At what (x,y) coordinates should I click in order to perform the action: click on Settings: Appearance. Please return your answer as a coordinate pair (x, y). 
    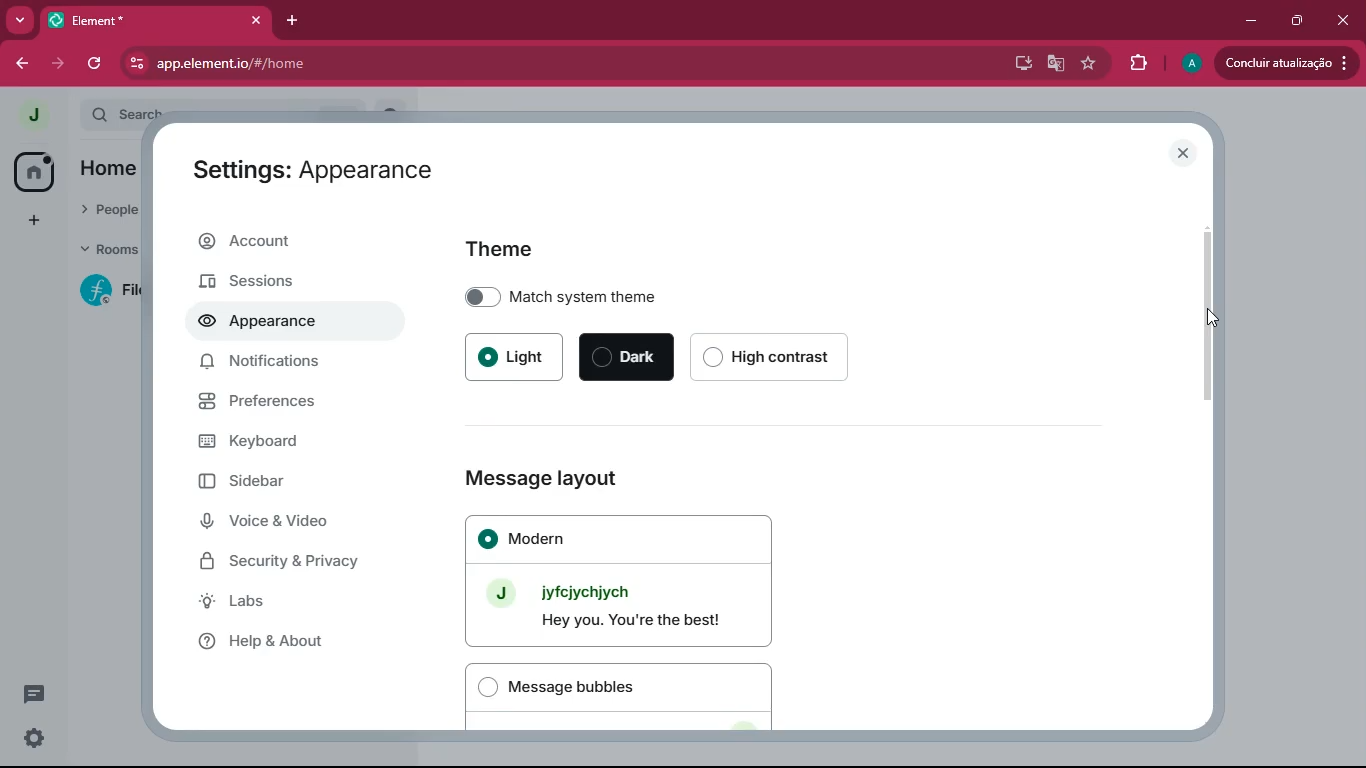
    Looking at the image, I should click on (309, 171).